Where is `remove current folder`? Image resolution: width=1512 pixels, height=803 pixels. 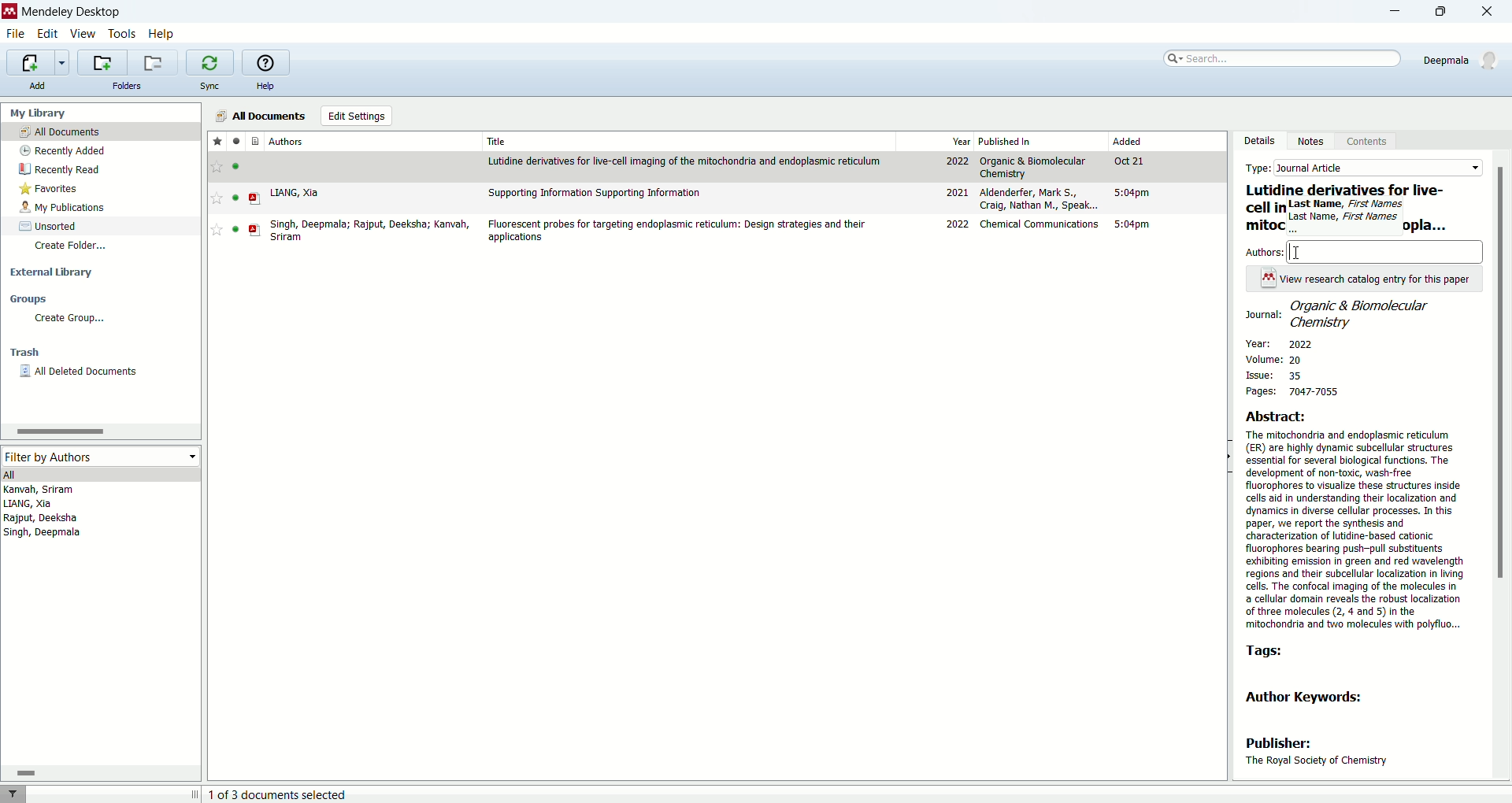
remove current folder is located at coordinates (154, 62).